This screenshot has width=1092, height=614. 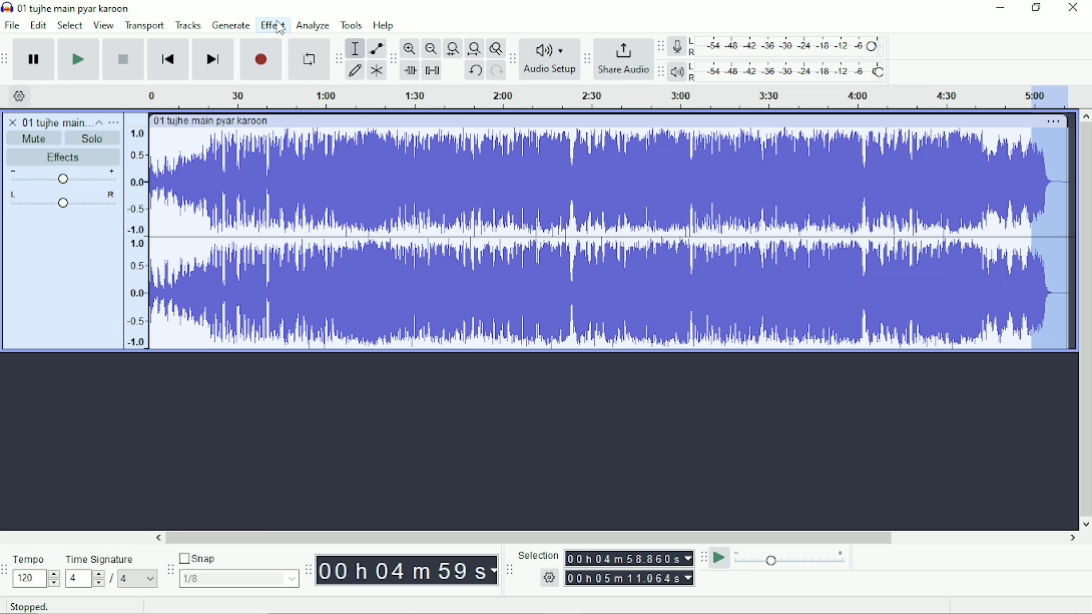 What do you see at coordinates (241, 578) in the screenshot?
I see `1/8` at bounding box center [241, 578].